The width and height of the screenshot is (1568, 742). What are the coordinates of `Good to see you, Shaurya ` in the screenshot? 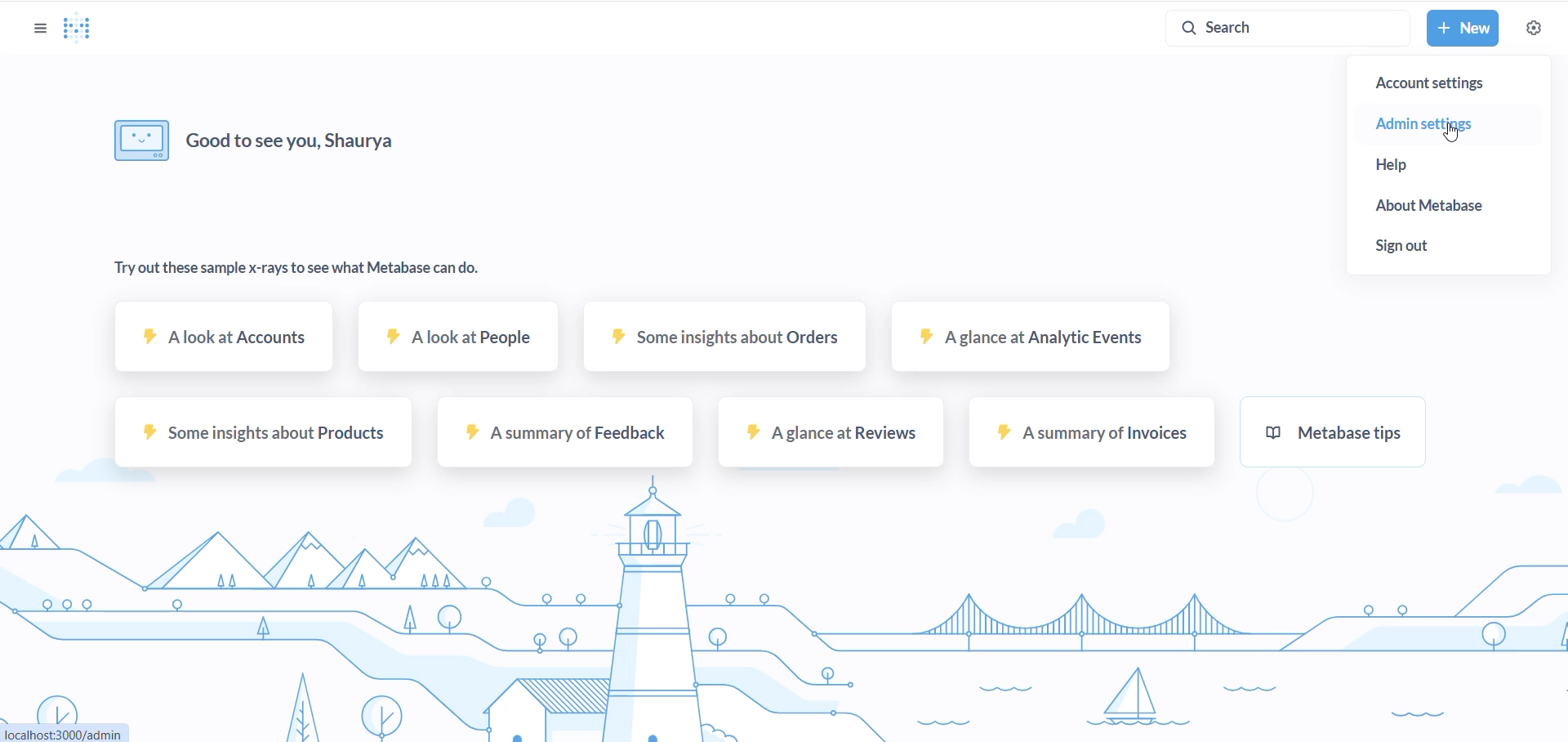 It's located at (296, 140).